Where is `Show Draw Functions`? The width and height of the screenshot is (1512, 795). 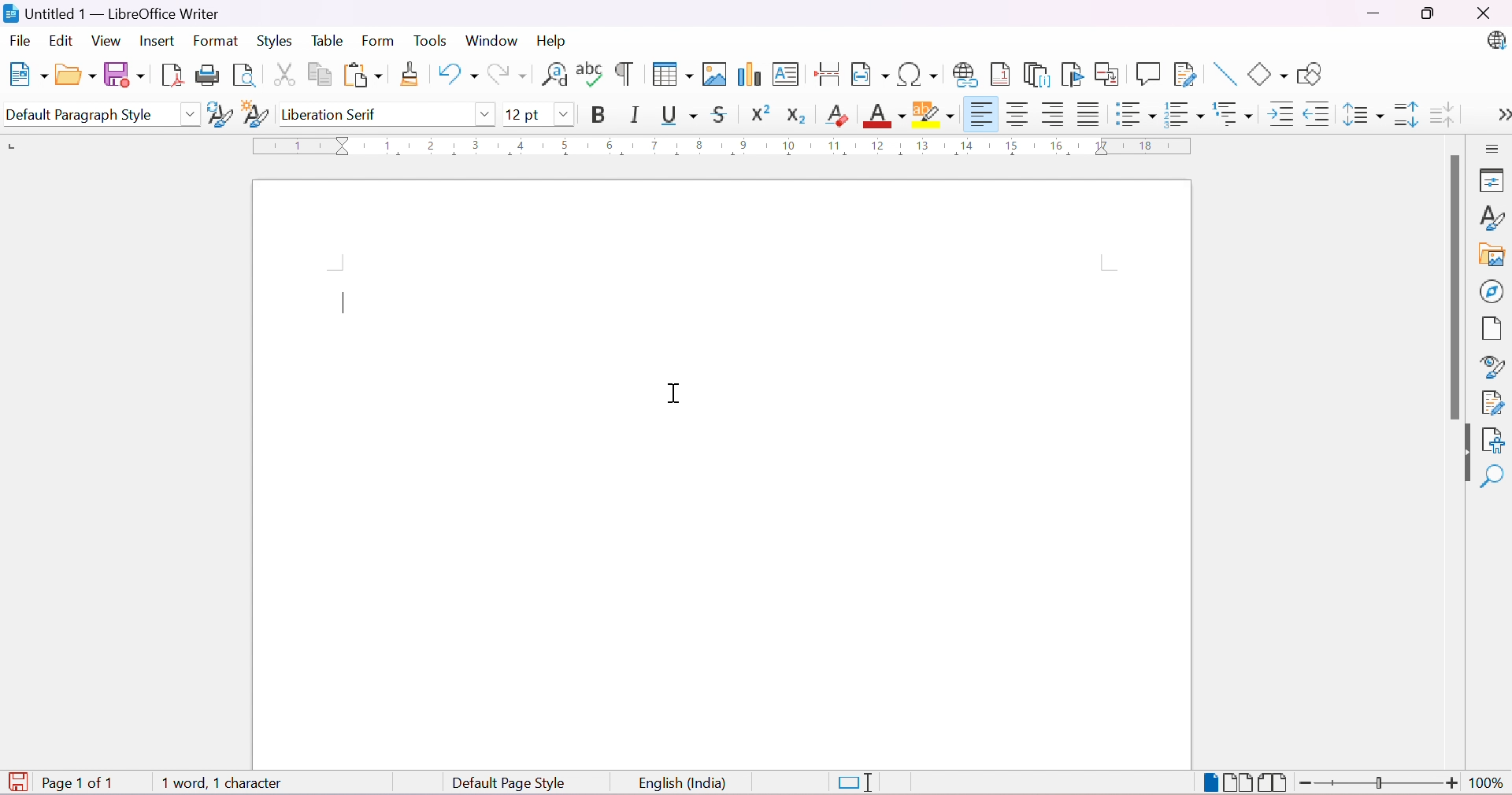
Show Draw Functions is located at coordinates (1310, 74).